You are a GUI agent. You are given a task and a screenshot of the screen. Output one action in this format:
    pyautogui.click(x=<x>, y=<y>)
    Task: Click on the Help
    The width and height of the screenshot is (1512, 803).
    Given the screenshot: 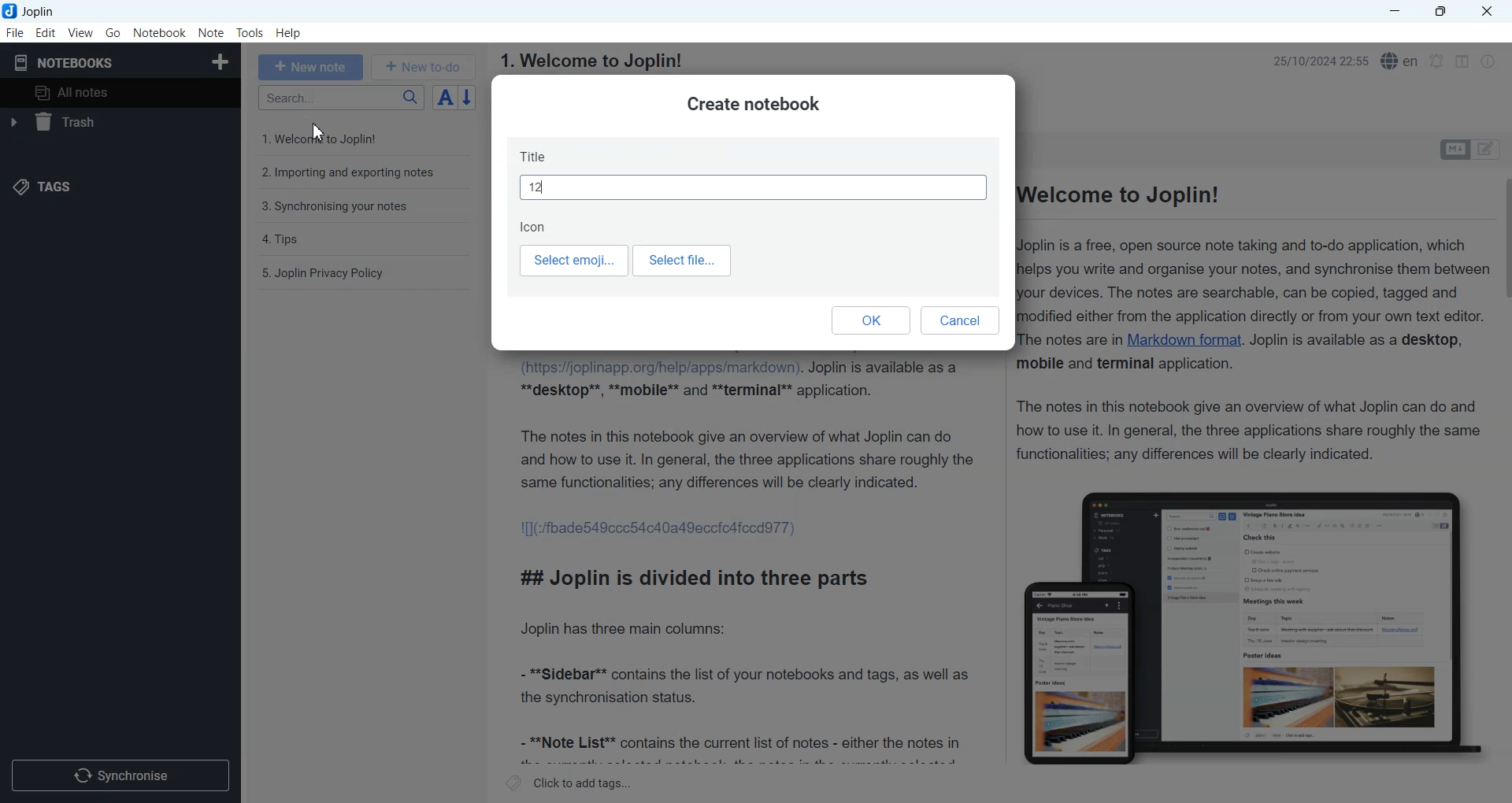 What is the action you would take?
    pyautogui.click(x=290, y=34)
    